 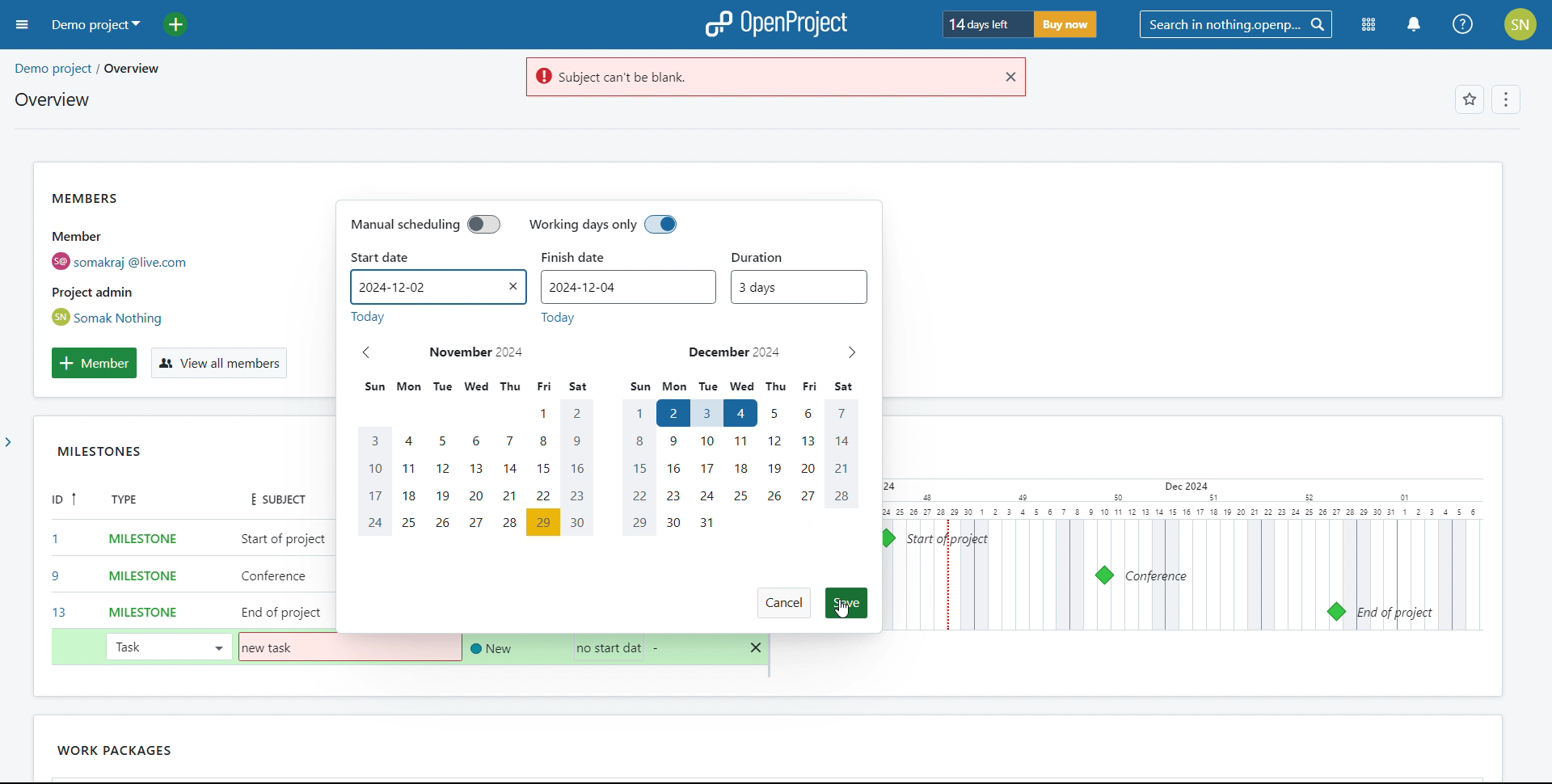 What do you see at coordinates (1464, 24) in the screenshot?
I see `help` at bounding box center [1464, 24].